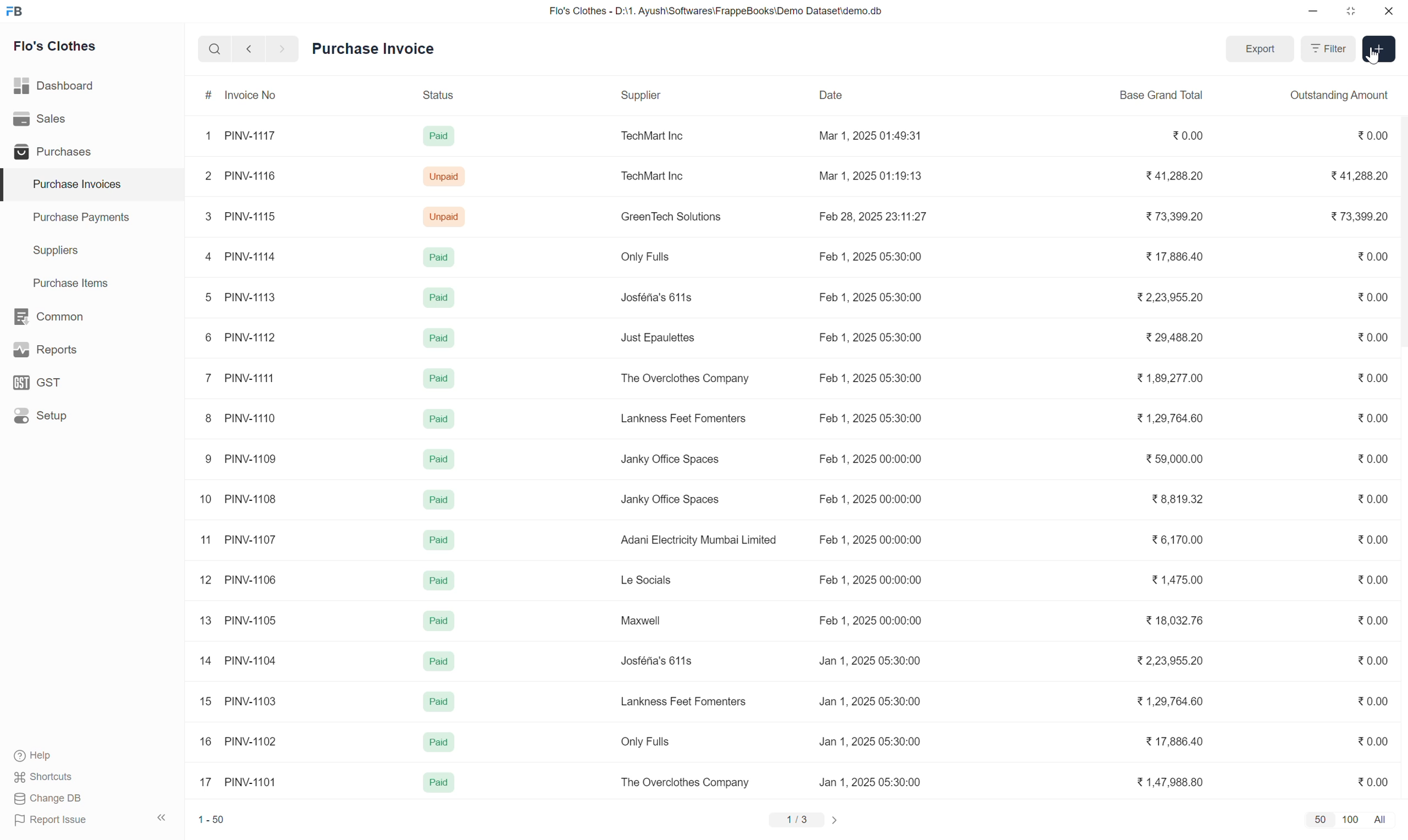 This screenshot has height=840, width=1408. Describe the element at coordinates (871, 215) in the screenshot. I see `Feb 28, 2025 23:11:27` at that location.